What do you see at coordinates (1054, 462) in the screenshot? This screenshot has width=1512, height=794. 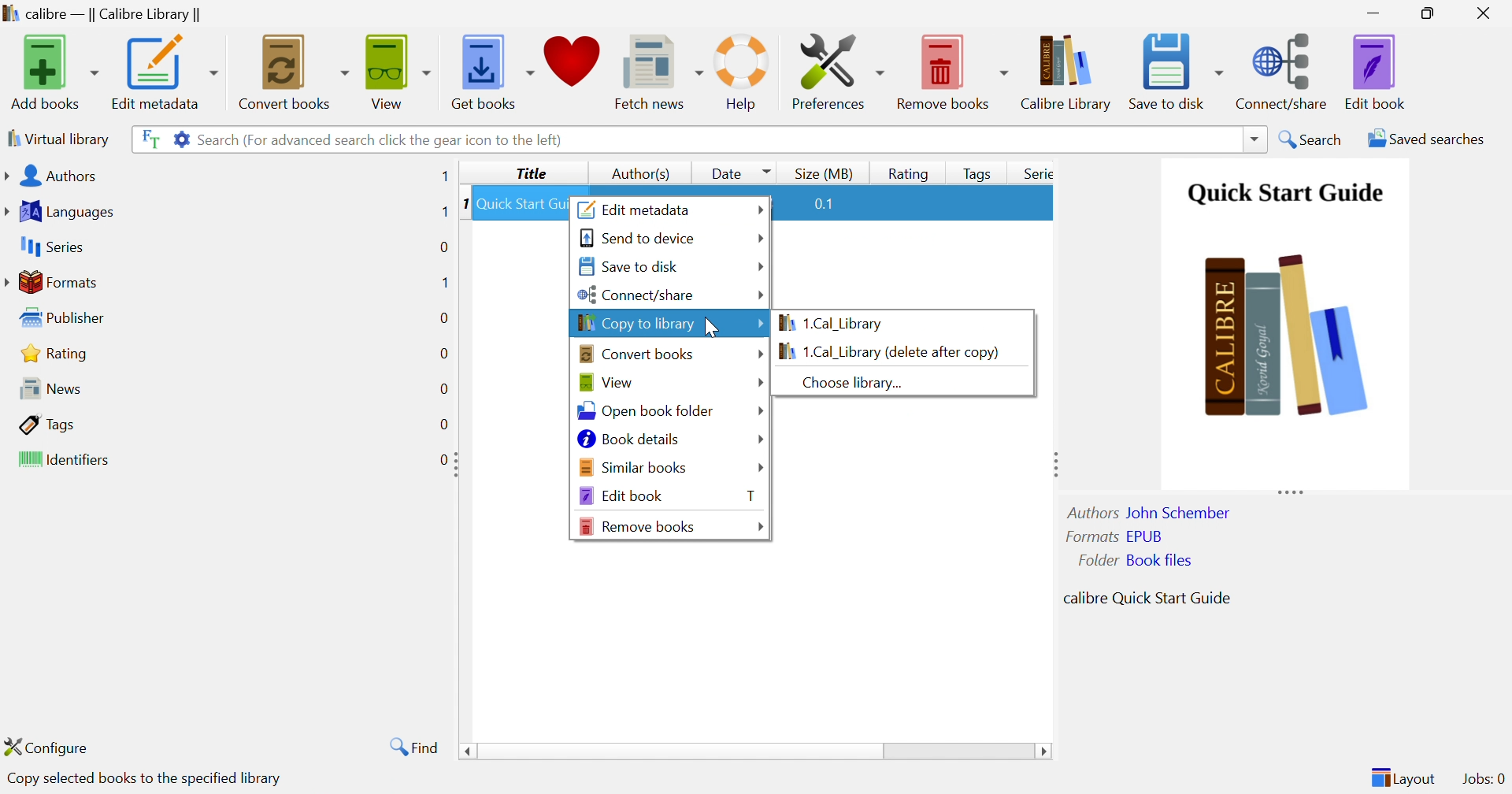 I see `Expand` at bounding box center [1054, 462].